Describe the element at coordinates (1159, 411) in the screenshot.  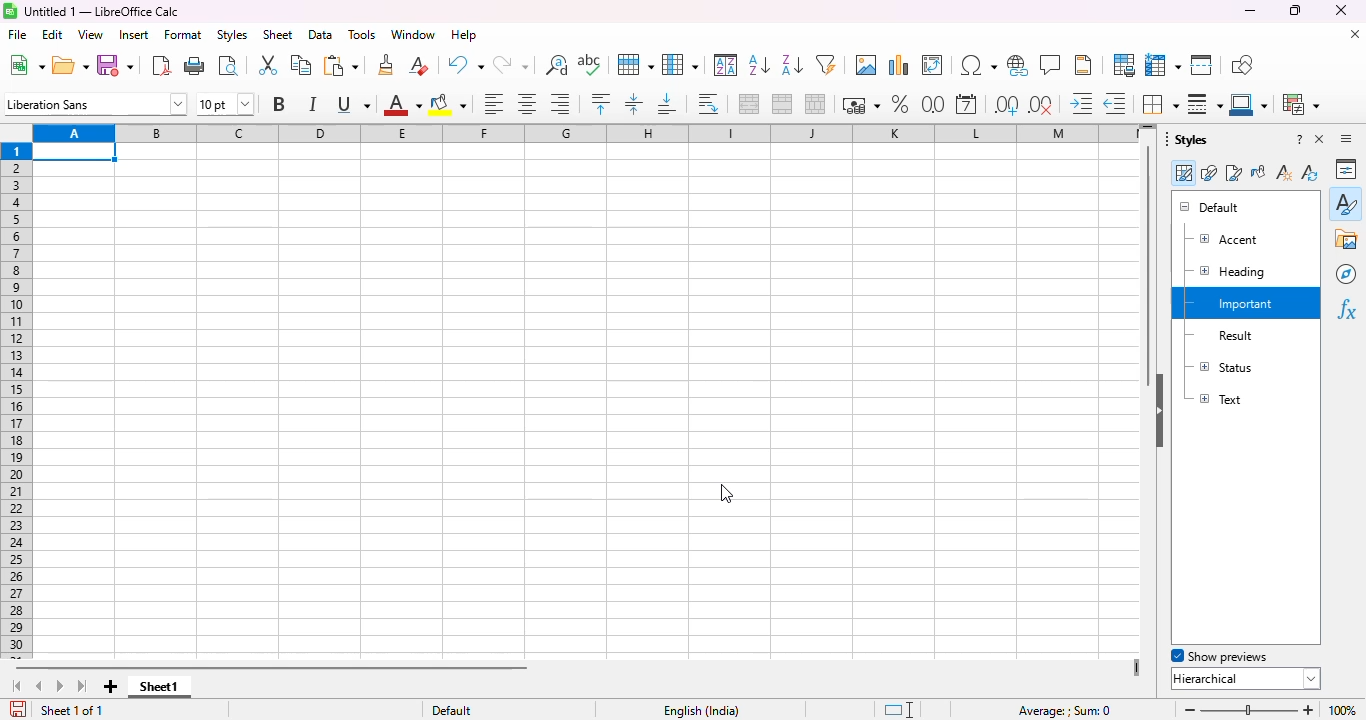
I see `hide` at that location.